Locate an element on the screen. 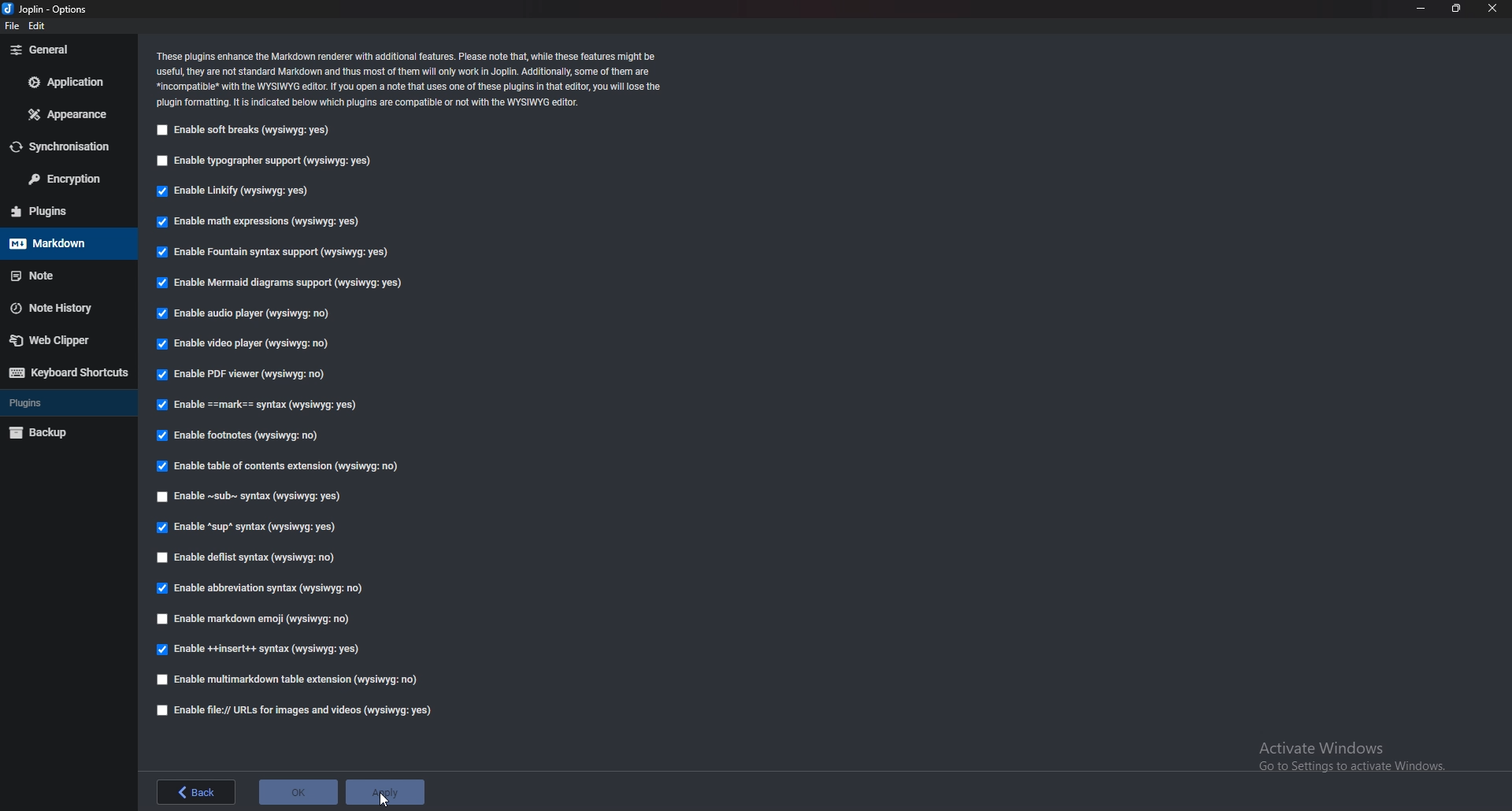 This screenshot has height=811, width=1512. Enable multi markdown table is located at coordinates (292, 680).